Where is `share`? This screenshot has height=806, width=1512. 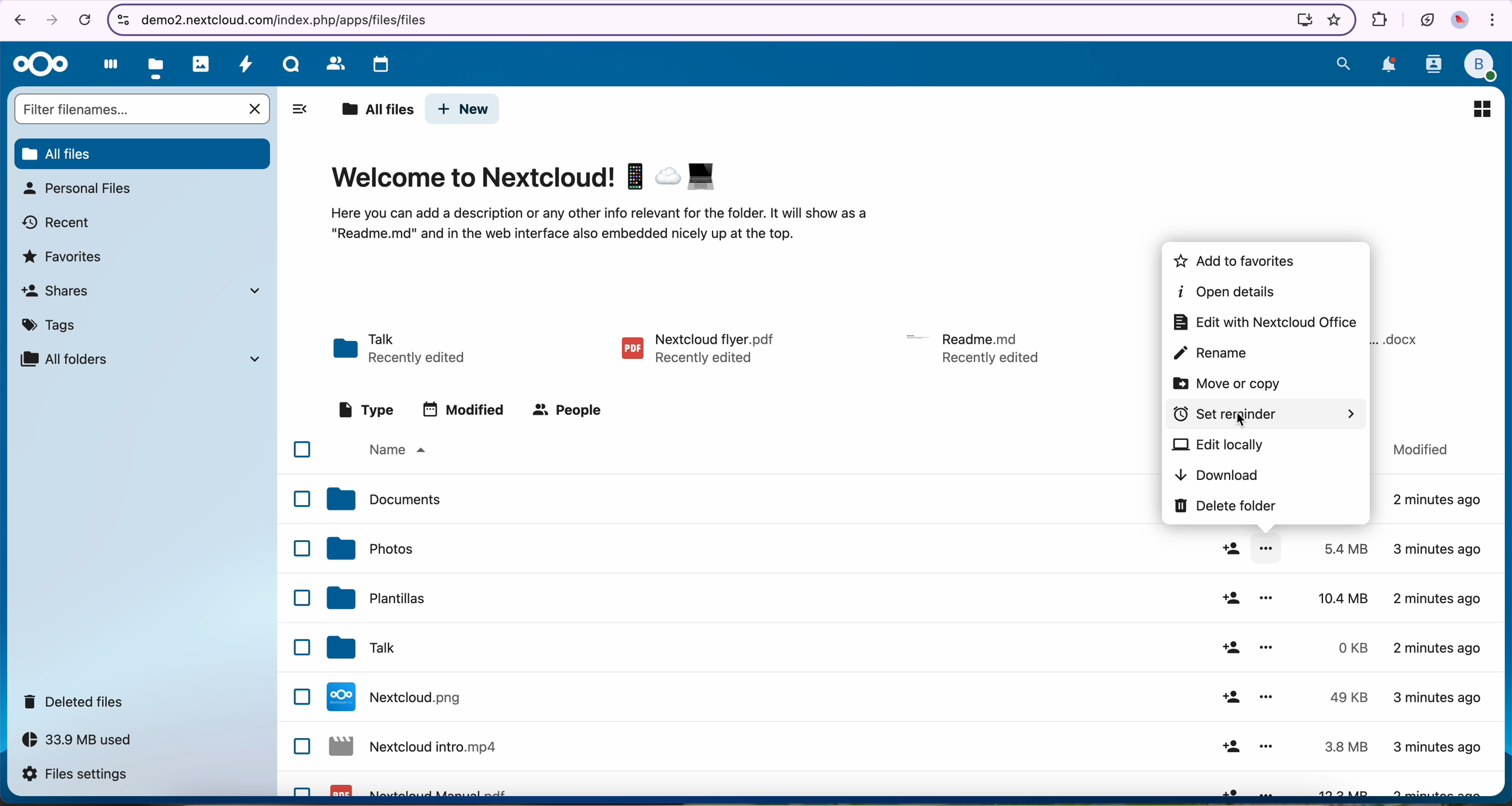
share is located at coordinates (1228, 697).